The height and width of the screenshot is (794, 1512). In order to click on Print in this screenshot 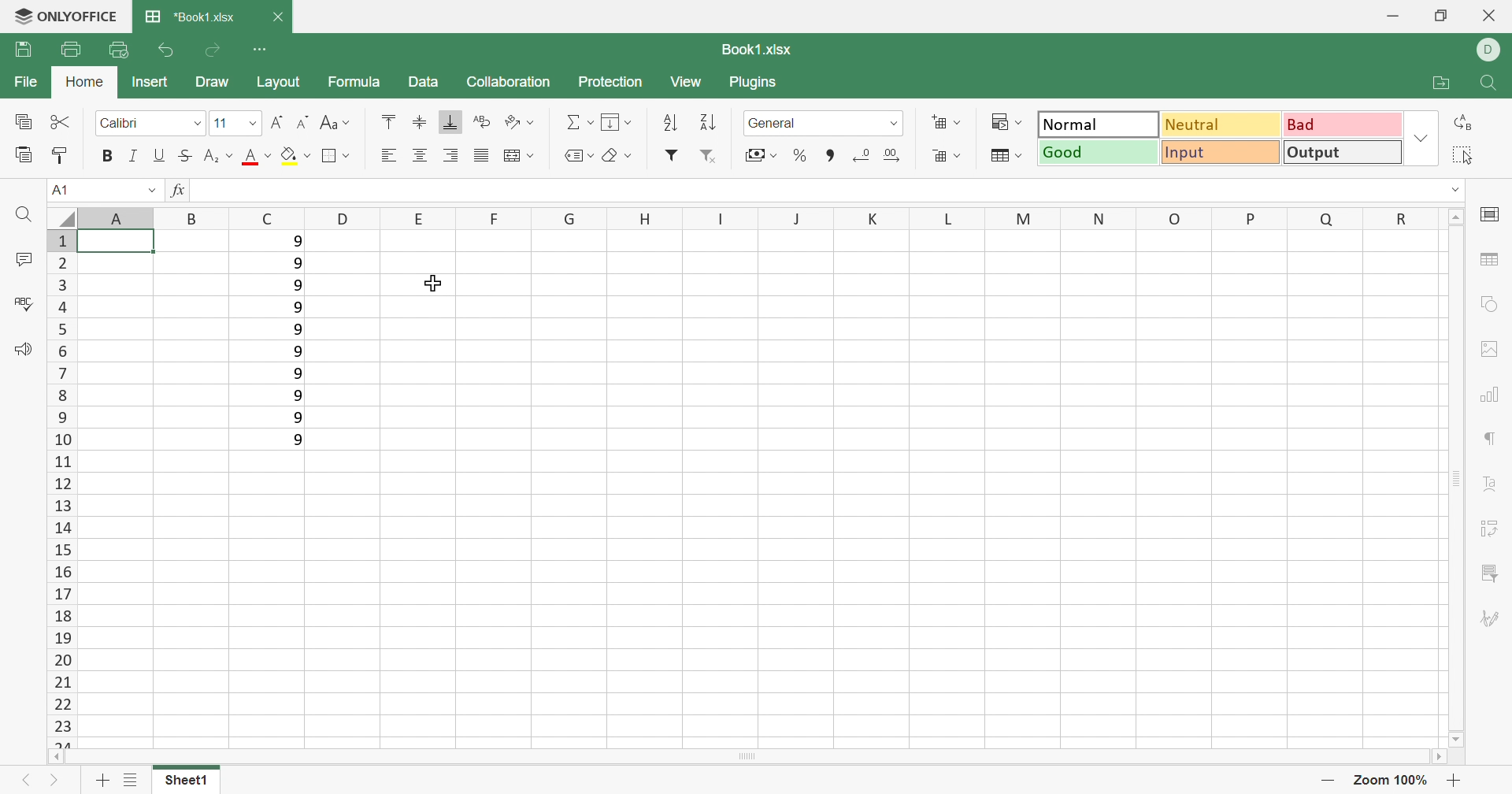, I will do `click(69, 49)`.